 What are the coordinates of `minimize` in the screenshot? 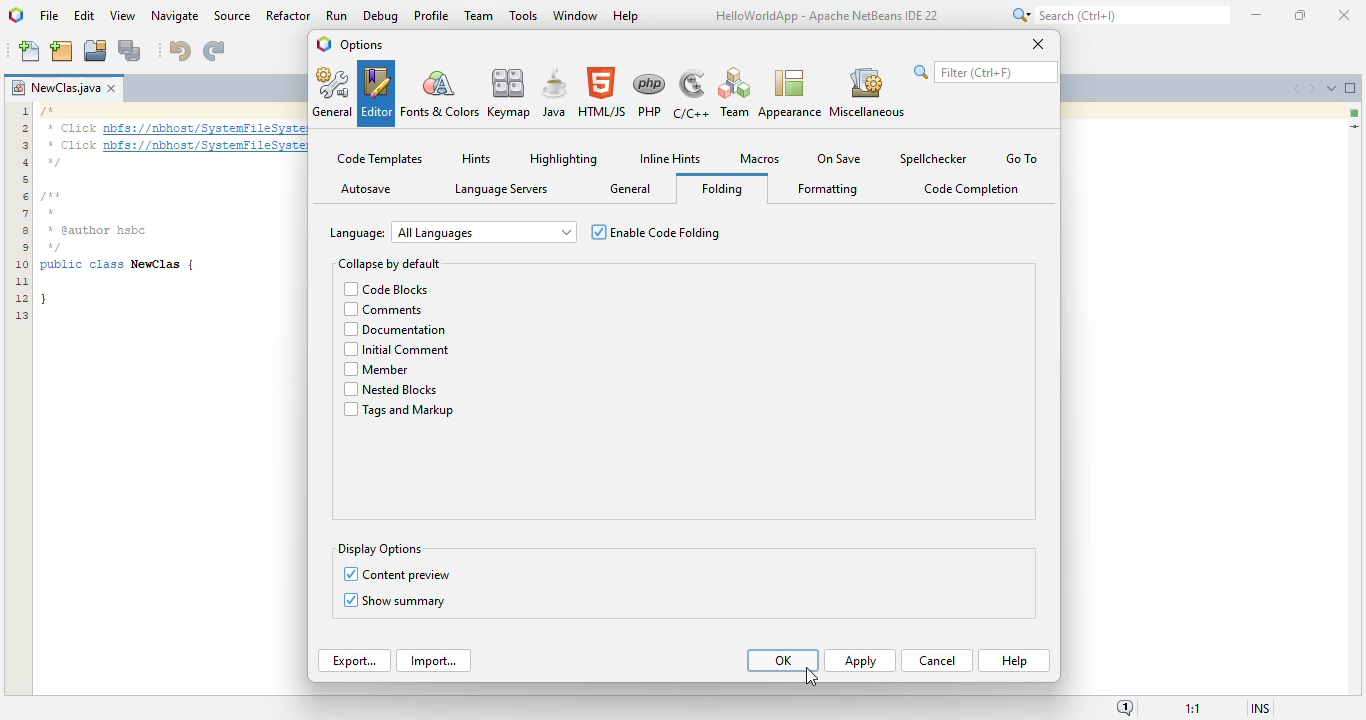 It's located at (1256, 13).